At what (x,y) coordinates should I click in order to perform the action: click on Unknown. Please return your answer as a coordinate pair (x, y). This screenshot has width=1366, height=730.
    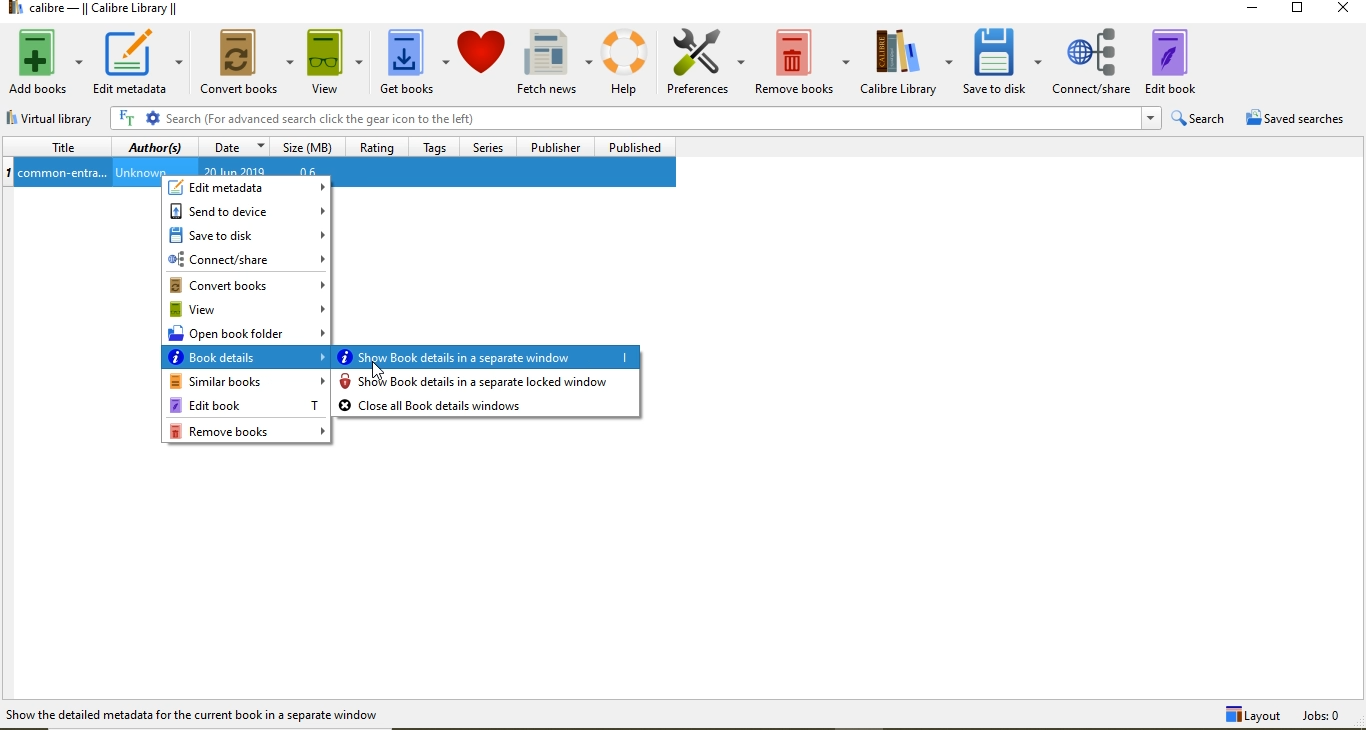
    Looking at the image, I should click on (140, 173).